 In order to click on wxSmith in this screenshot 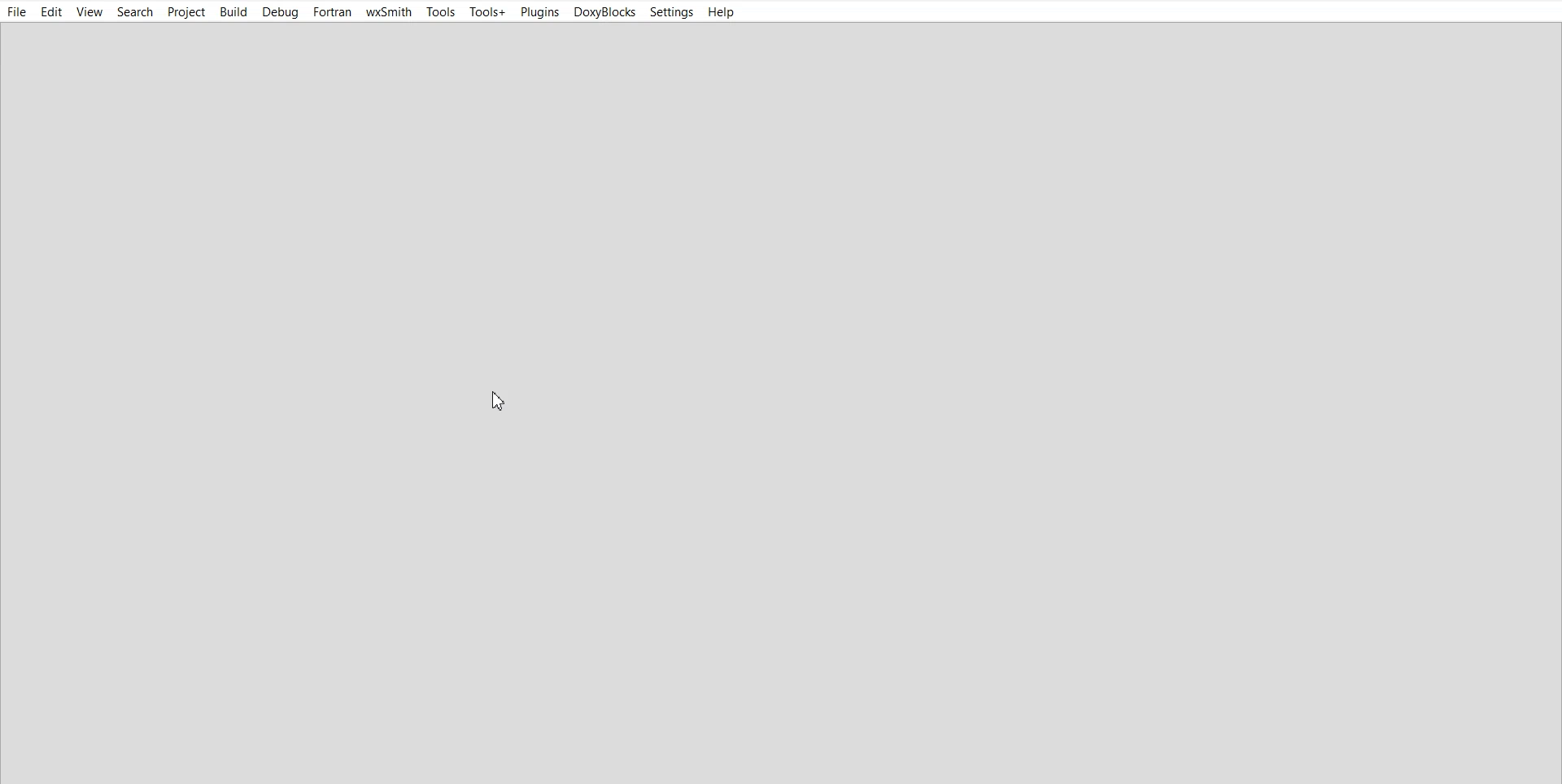, I will do `click(390, 11)`.